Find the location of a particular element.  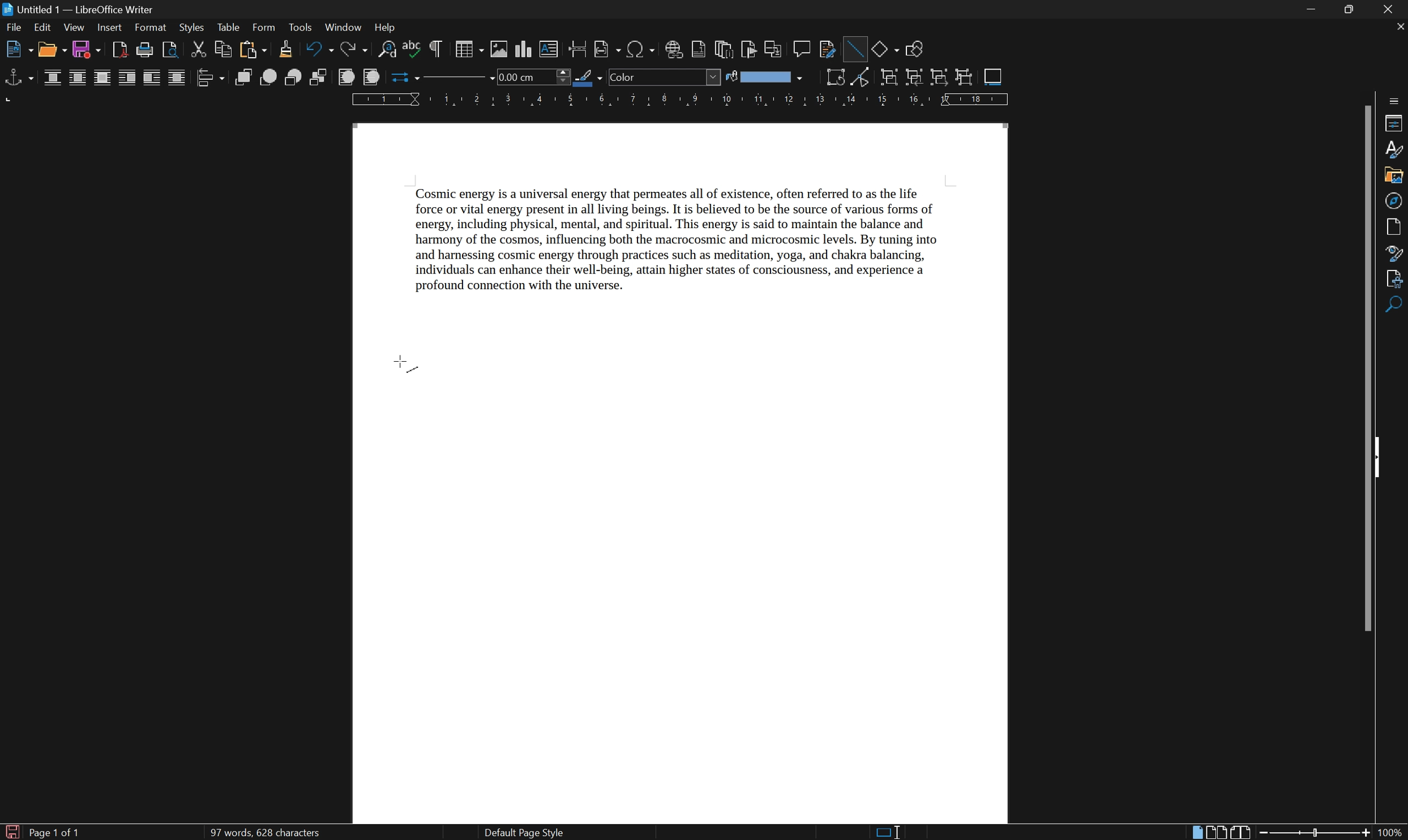

close is located at coordinates (1399, 26).